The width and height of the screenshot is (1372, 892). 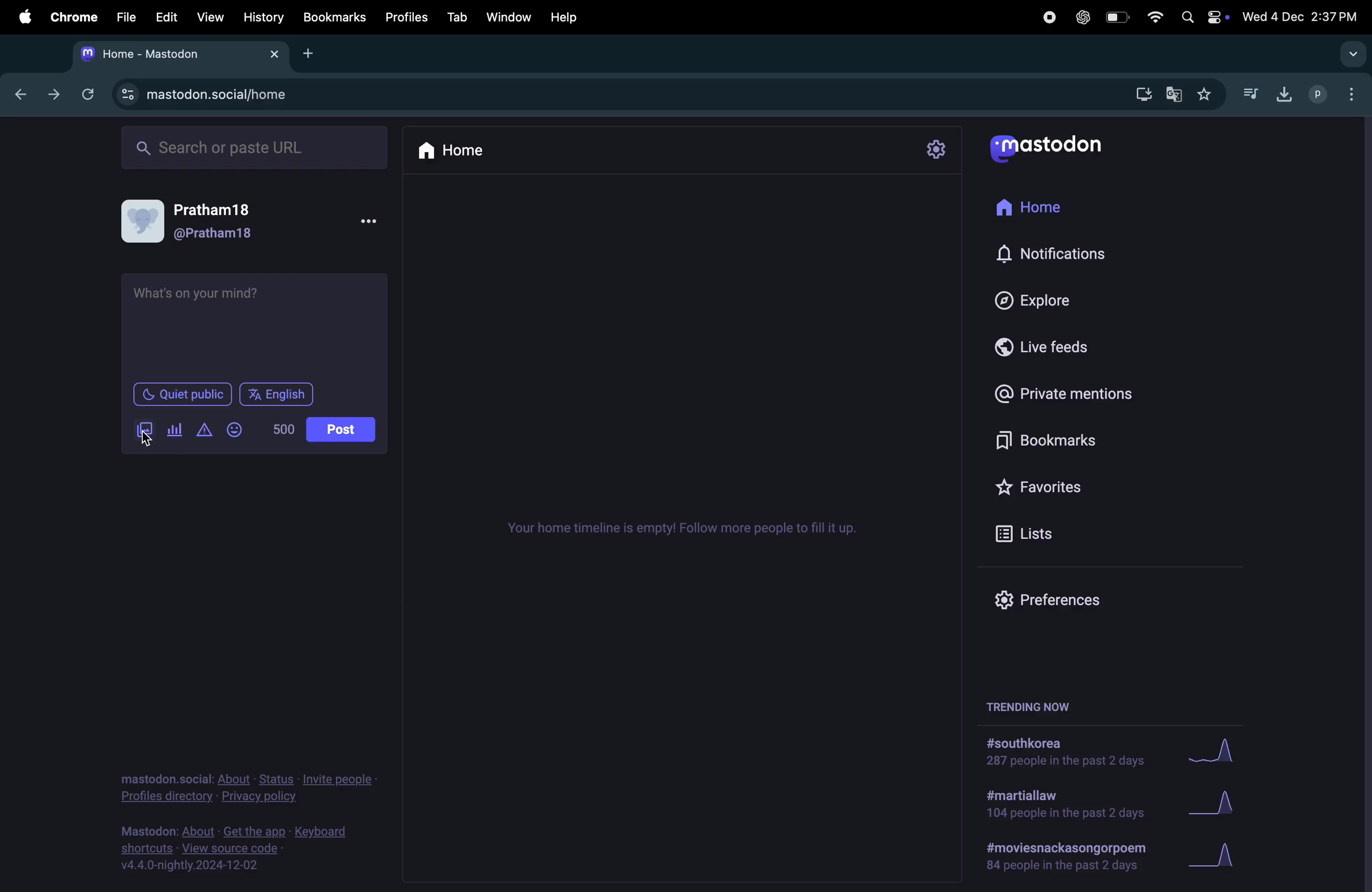 I want to click on chatgpt, so click(x=1081, y=17).